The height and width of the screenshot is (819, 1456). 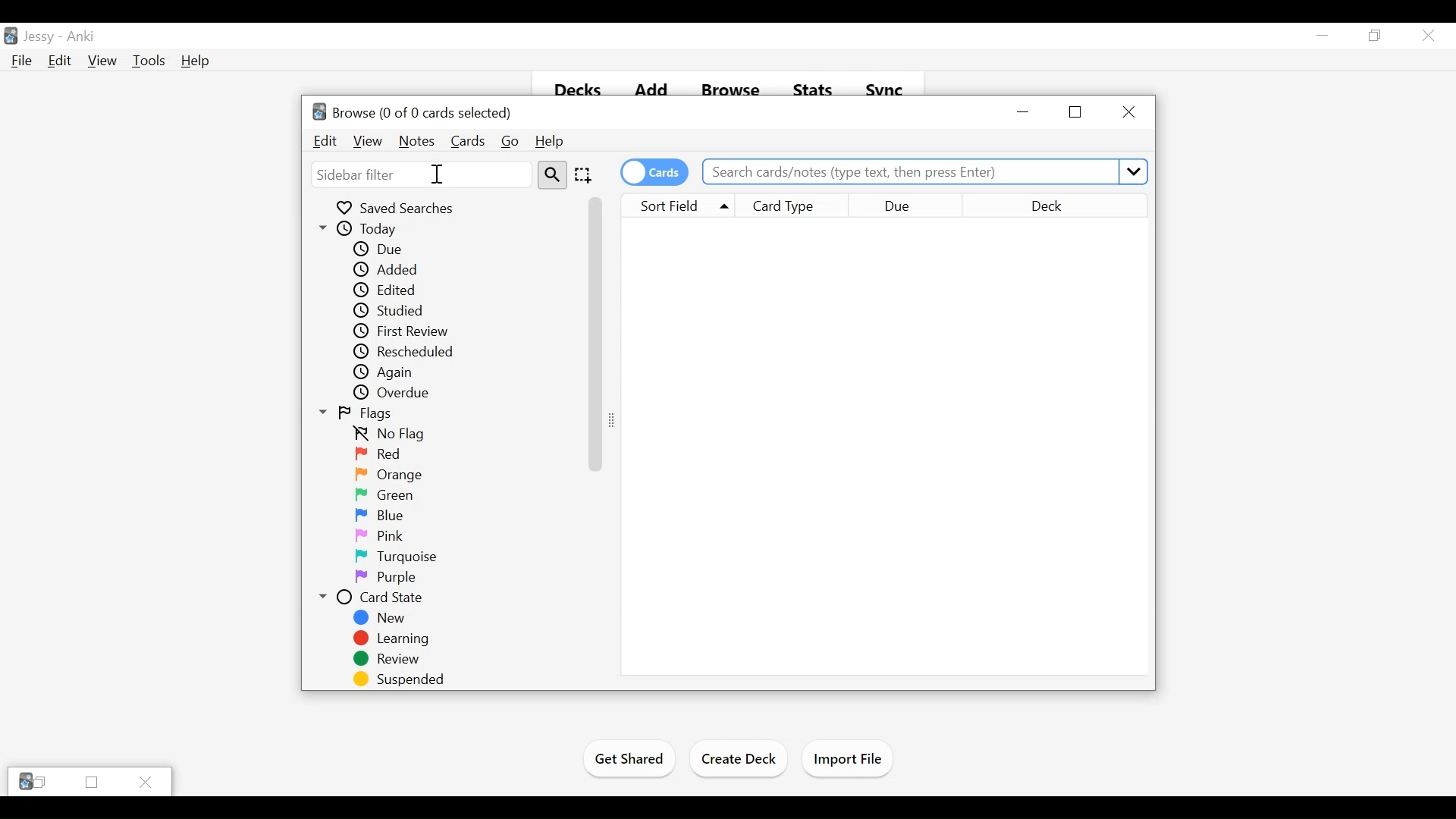 I want to click on Vertical Scroll bar, so click(x=593, y=332).